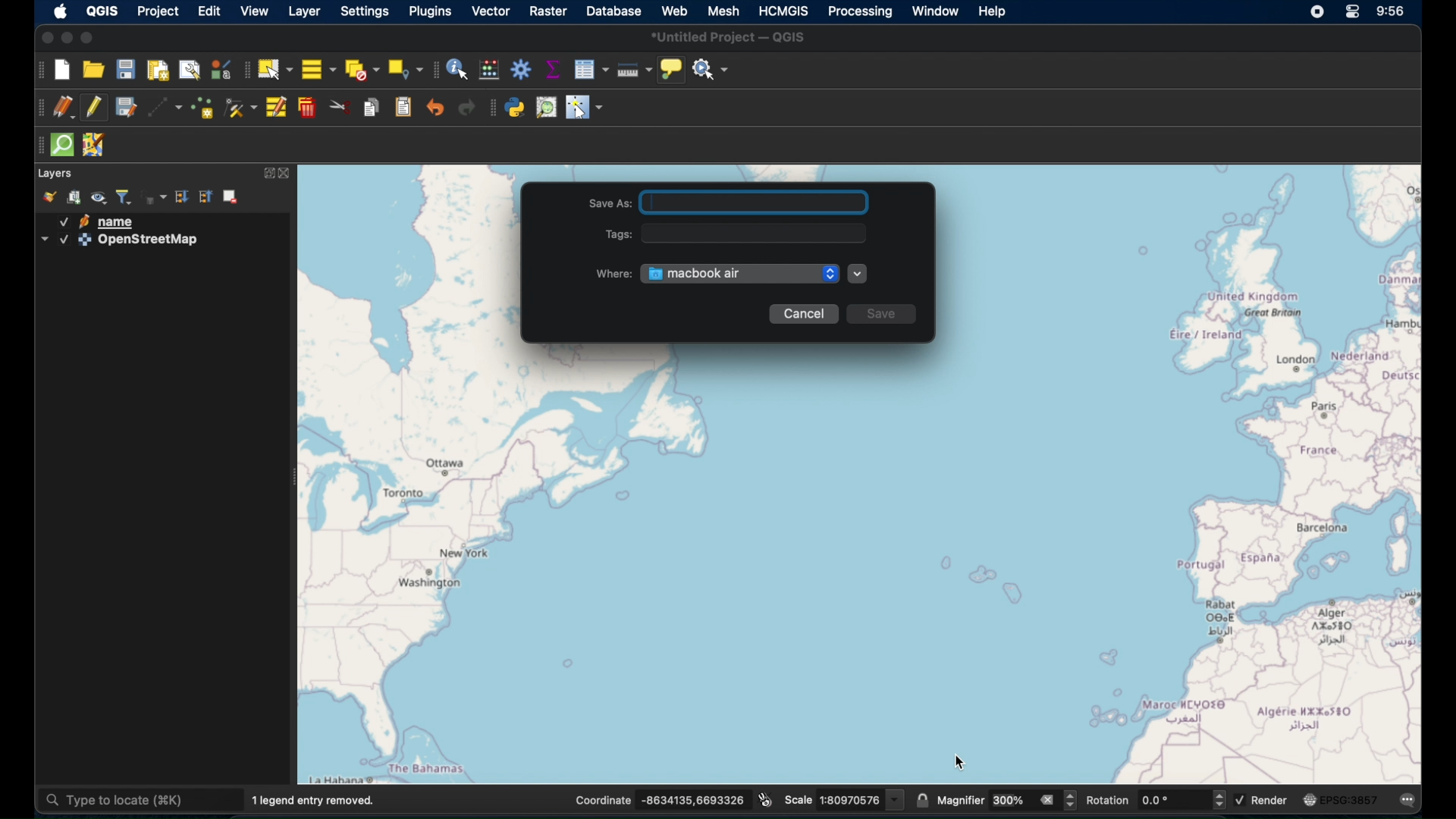 The width and height of the screenshot is (1456, 819). I want to click on Cursor, so click(962, 762).